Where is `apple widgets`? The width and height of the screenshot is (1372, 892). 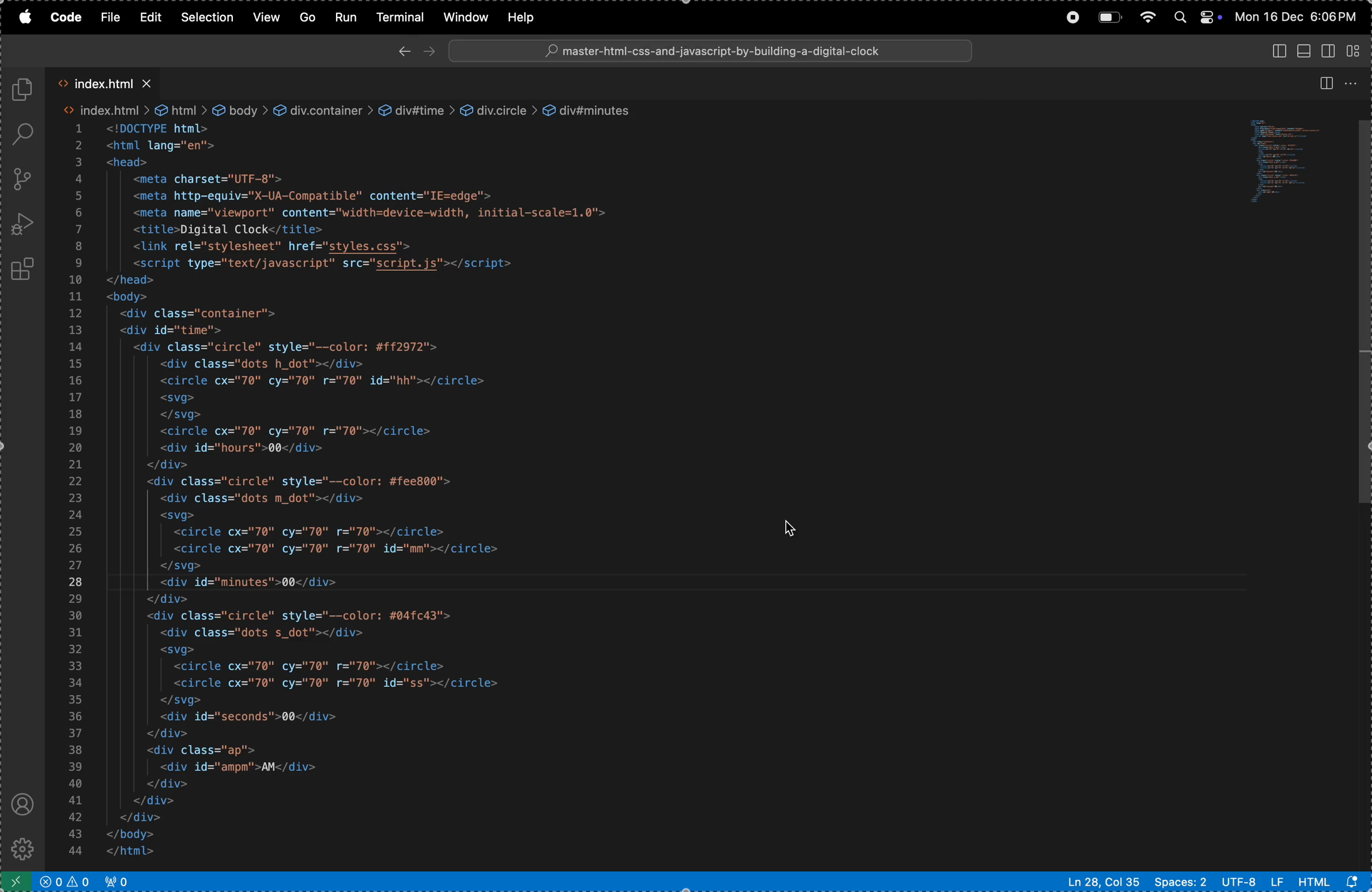 apple widgets is located at coordinates (1195, 17).